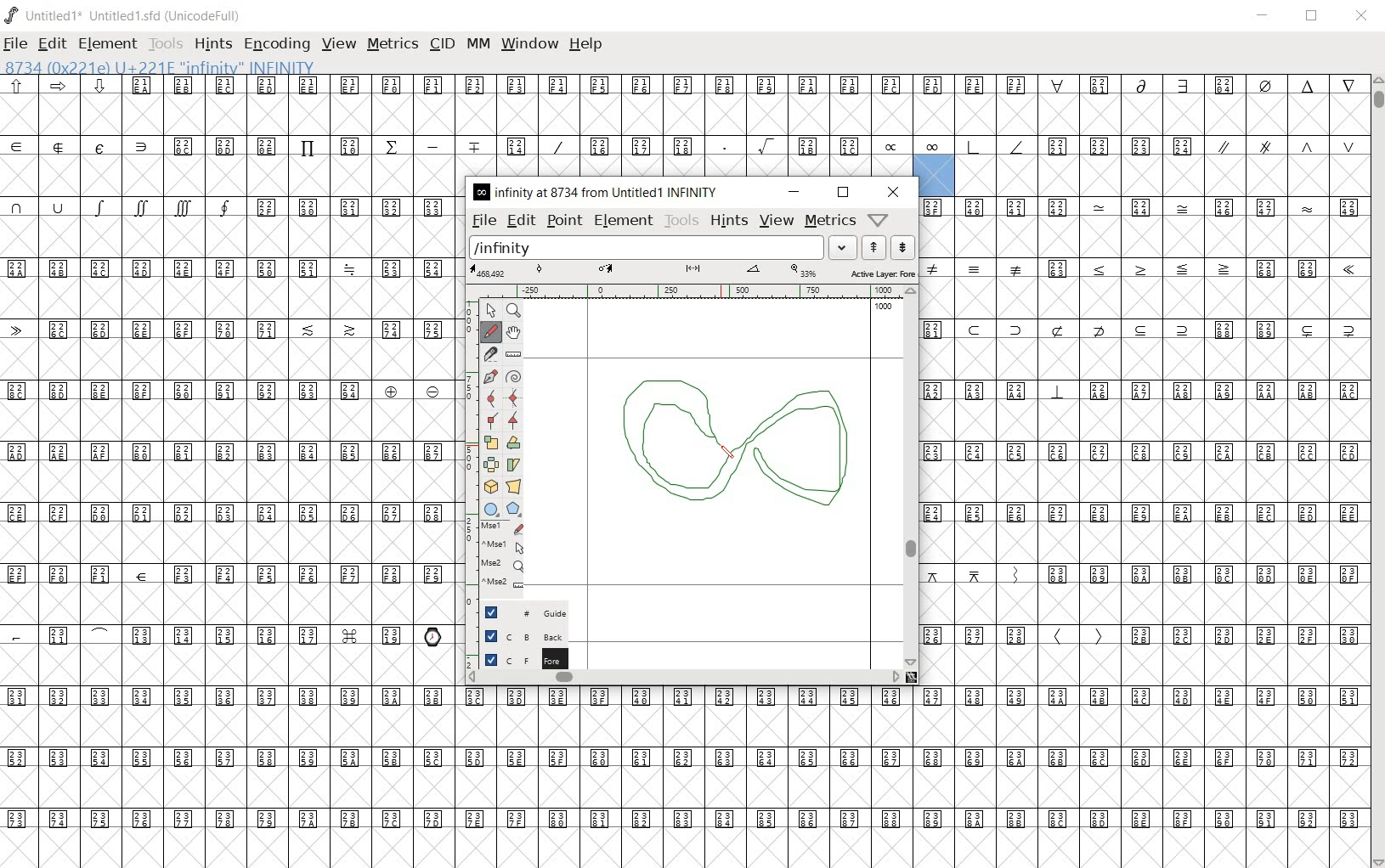  What do you see at coordinates (1149, 483) in the screenshot?
I see `empty glyph slots` at bounding box center [1149, 483].